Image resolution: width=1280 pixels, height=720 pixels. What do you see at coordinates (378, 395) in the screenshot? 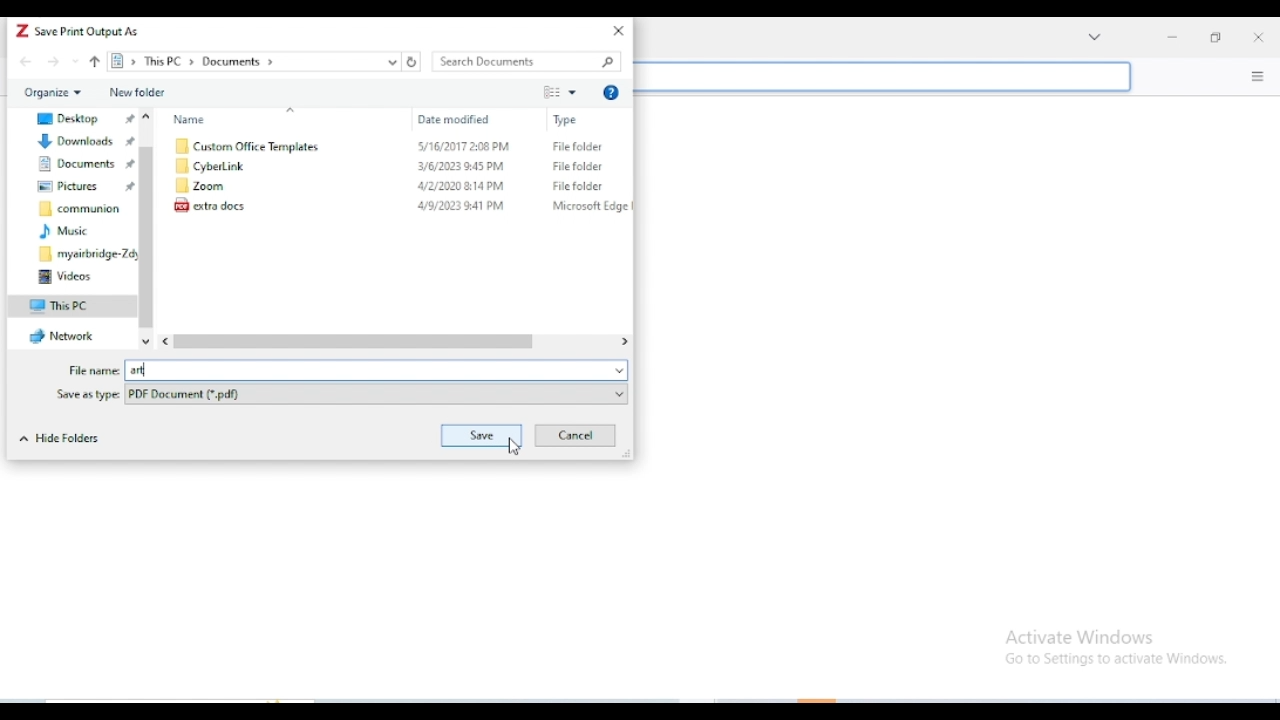
I see `PDF Document (*.pdf)` at bounding box center [378, 395].